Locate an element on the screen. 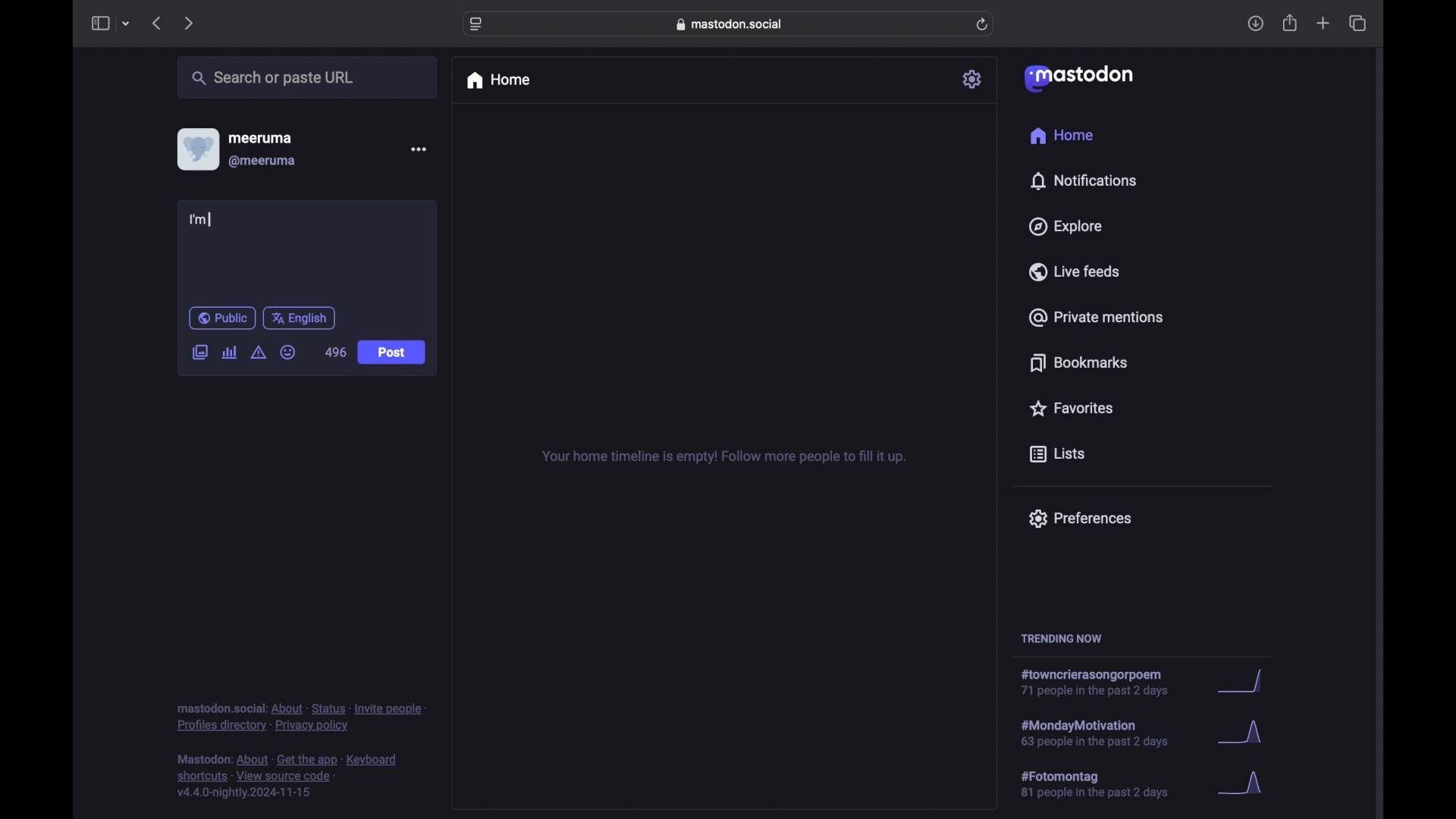  footnote is located at coordinates (301, 718).